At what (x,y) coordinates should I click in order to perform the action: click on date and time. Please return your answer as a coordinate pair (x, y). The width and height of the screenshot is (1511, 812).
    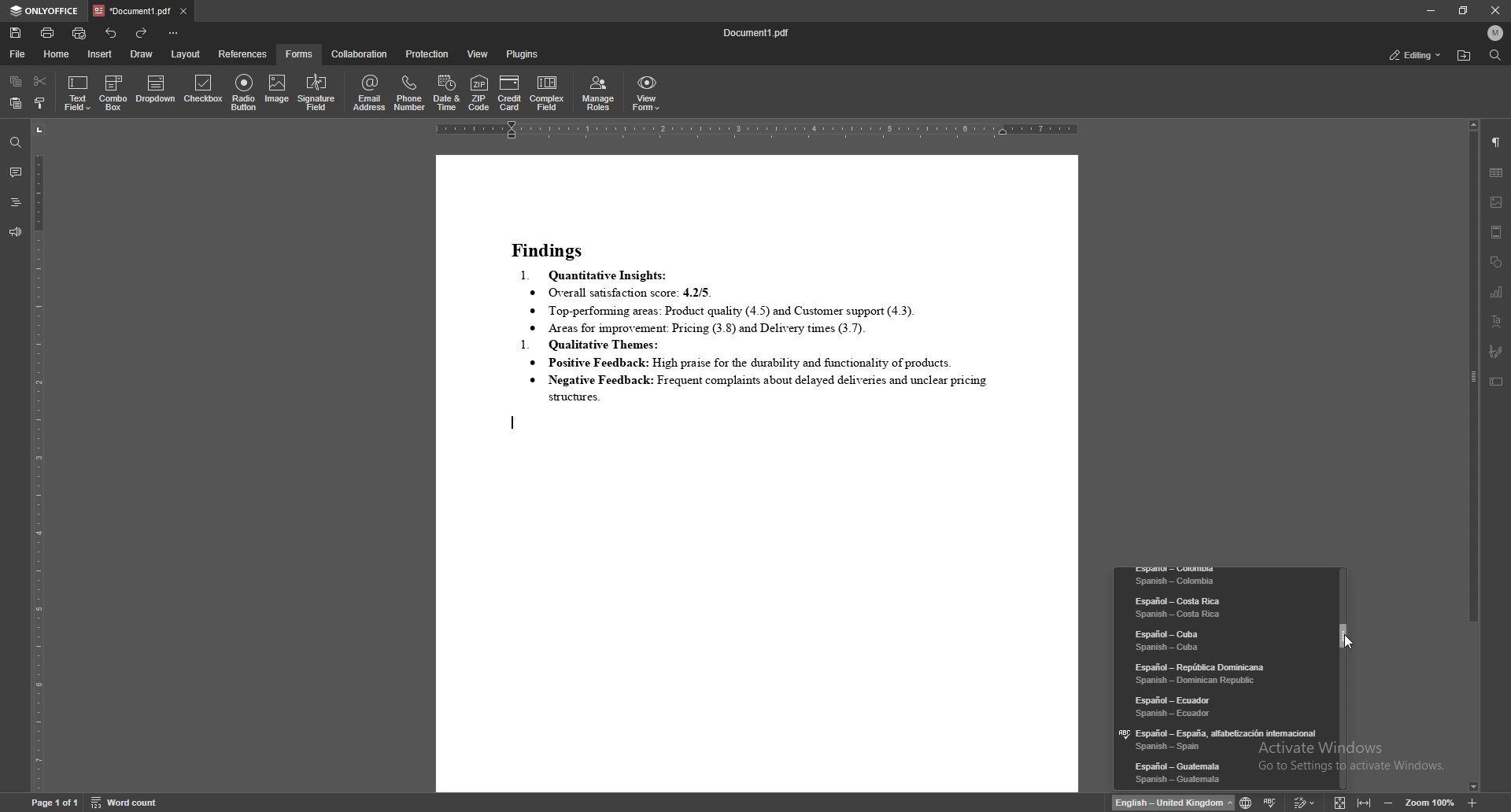
    Looking at the image, I should click on (448, 93).